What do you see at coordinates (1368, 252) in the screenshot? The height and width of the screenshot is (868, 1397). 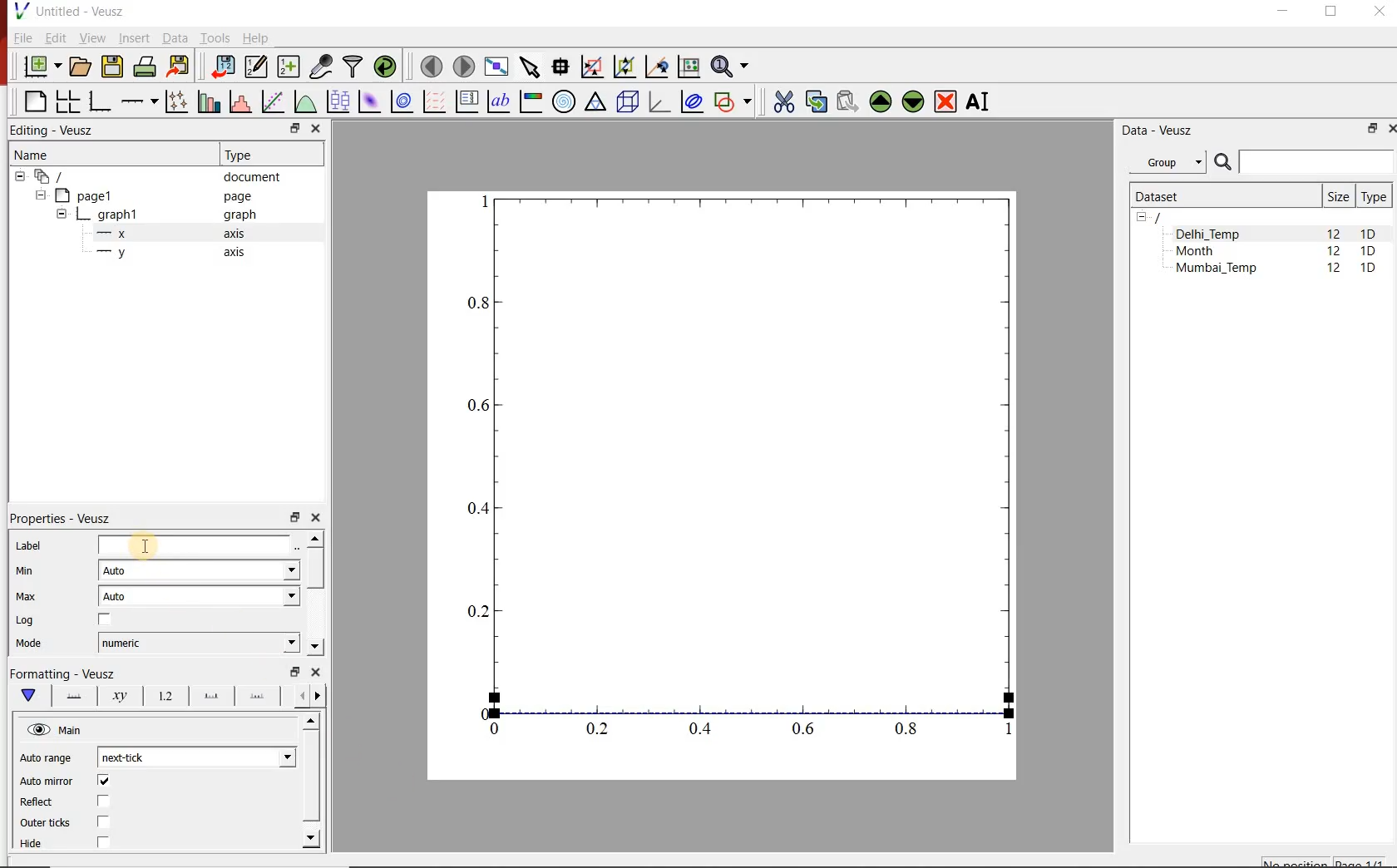 I see `1D` at bounding box center [1368, 252].